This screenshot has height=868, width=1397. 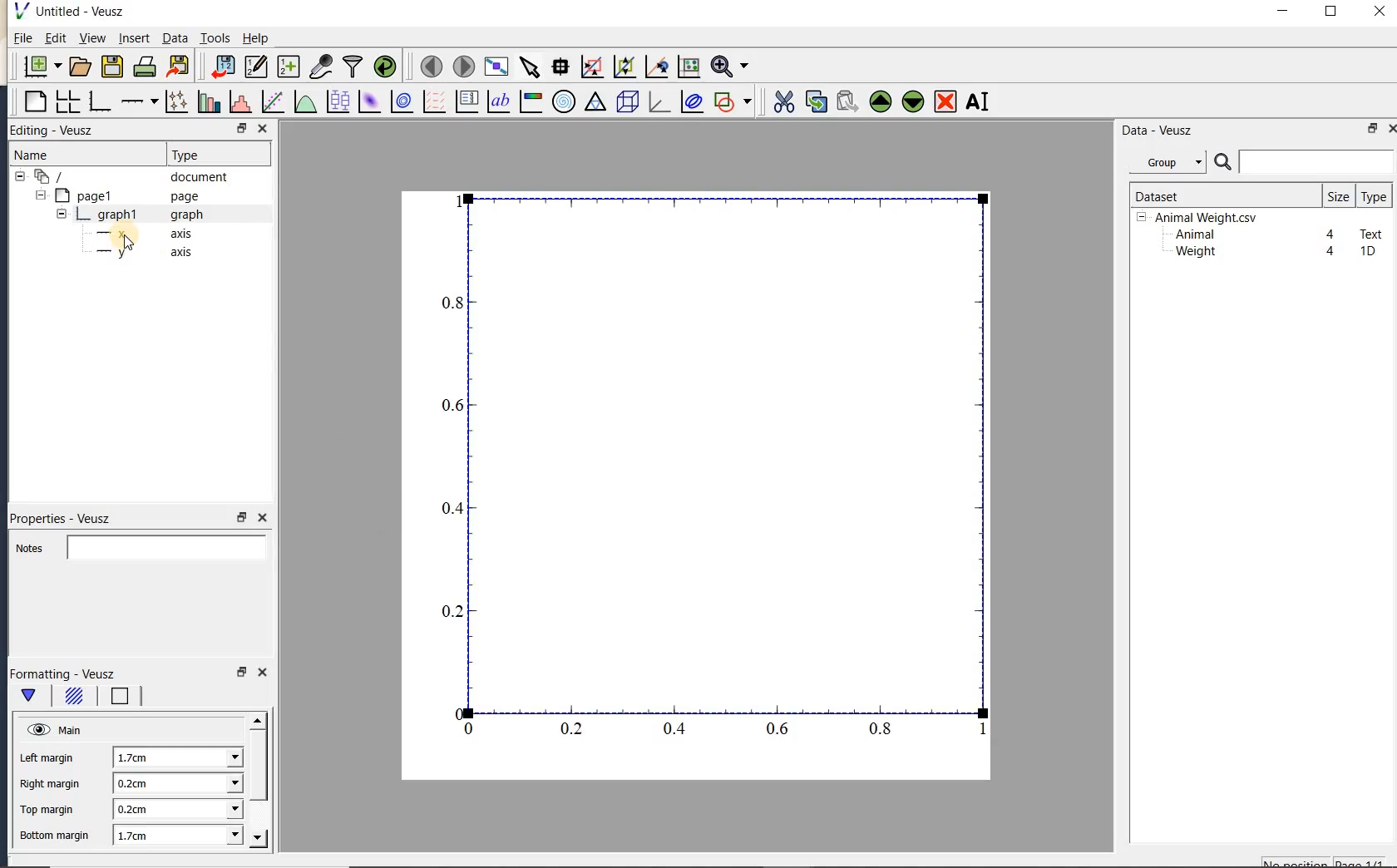 I want to click on close, so click(x=1380, y=12).